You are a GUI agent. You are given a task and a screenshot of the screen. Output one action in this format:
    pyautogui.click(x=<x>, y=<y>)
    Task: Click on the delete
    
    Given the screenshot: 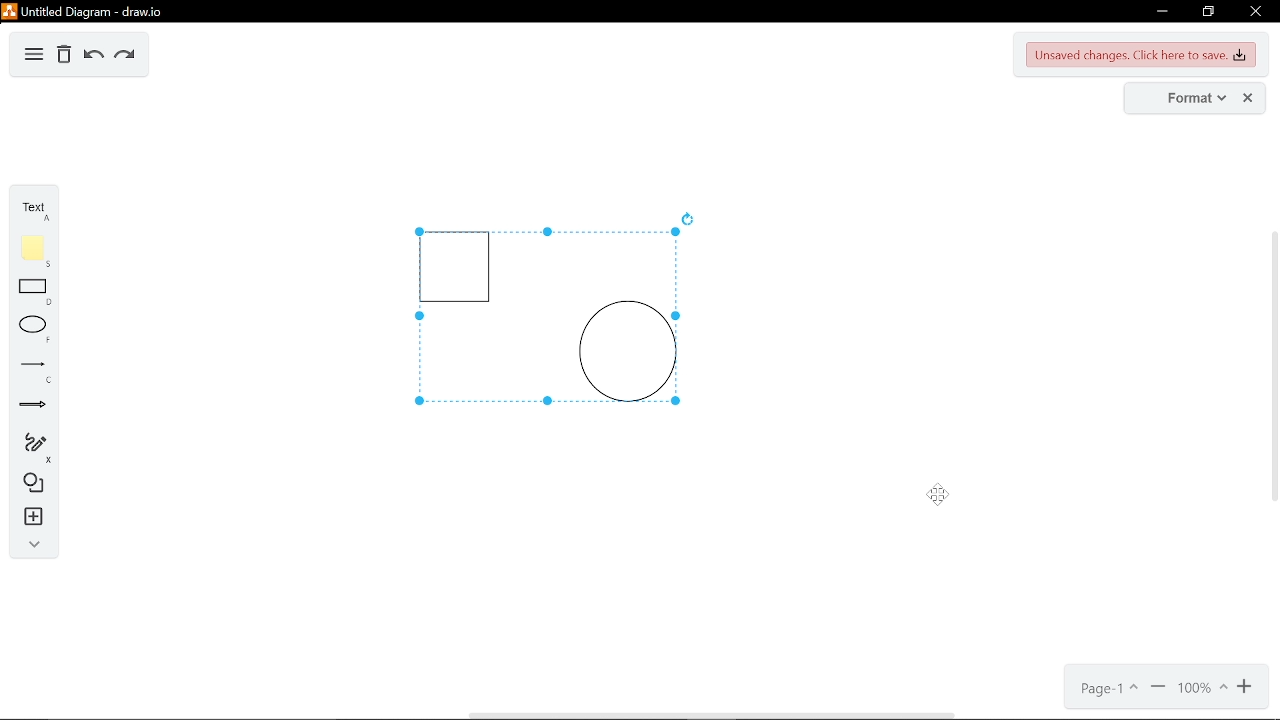 What is the action you would take?
    pyautogui.click(x=64, y=56)
    